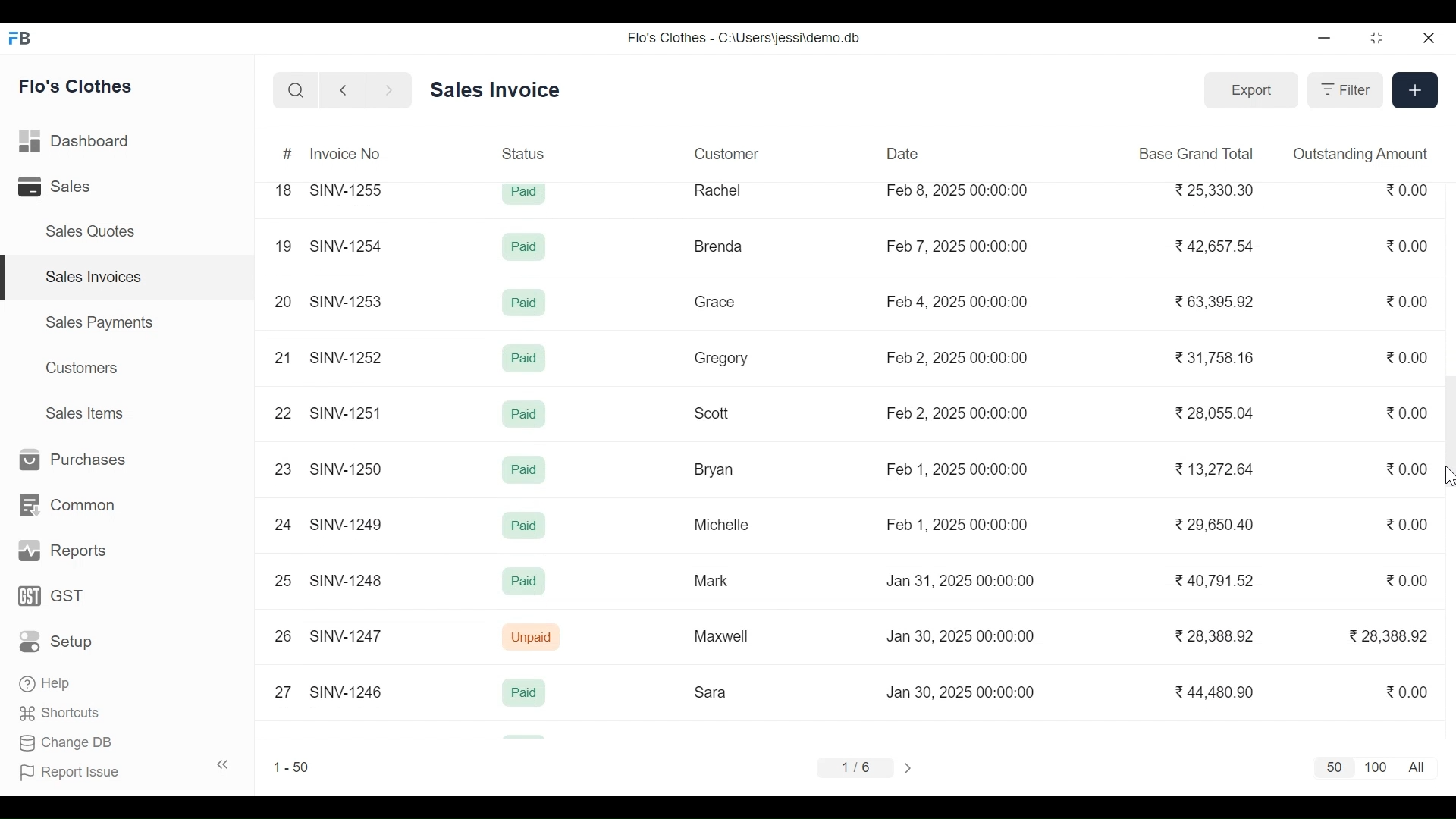 The height and width of the screenshot is (819, 1456). What do you see at coordinates (1408, 523) in the screenshot?
I see `0.00` at bounding box center [1408, 523].